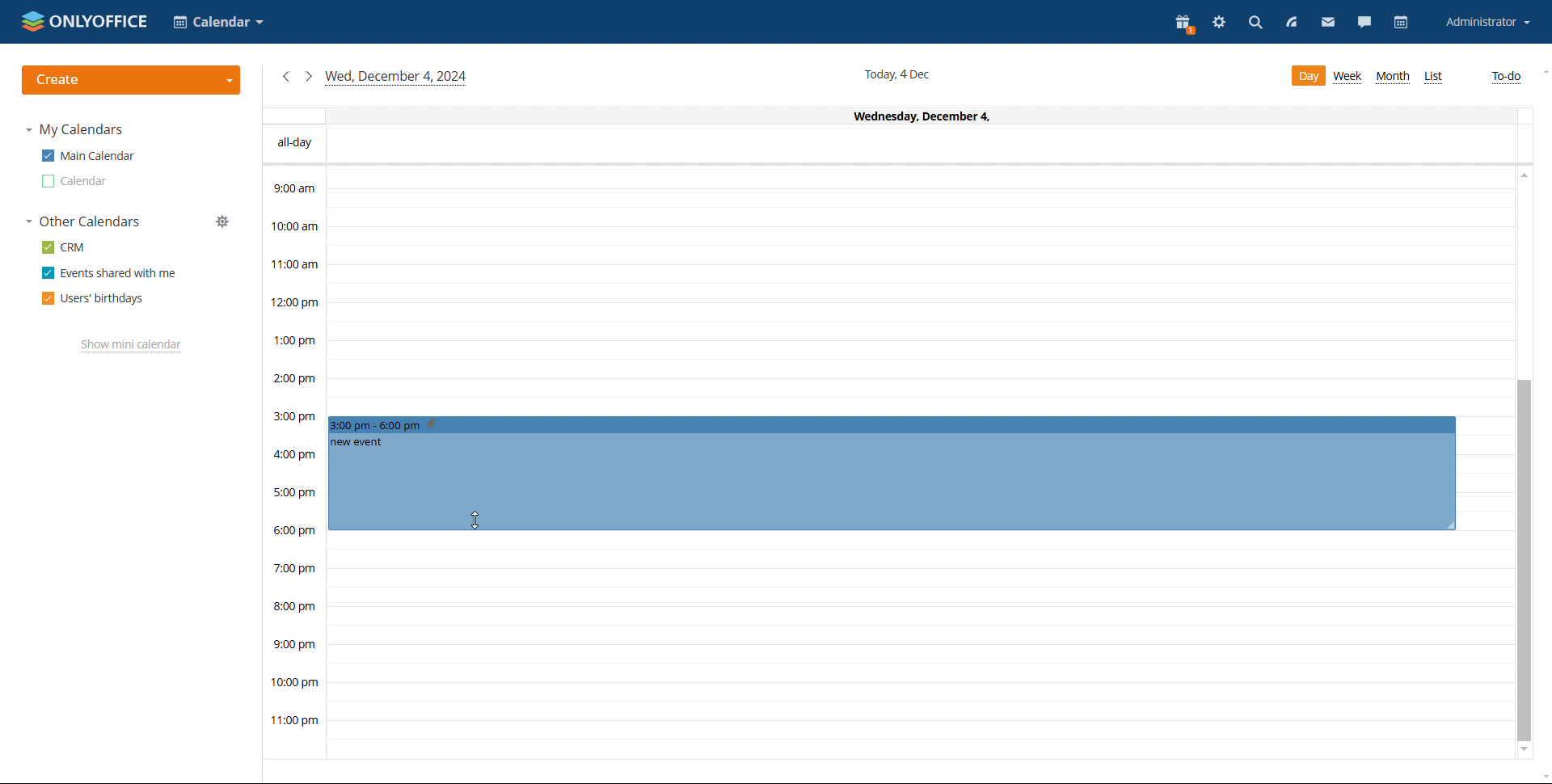  What do you see at coordinates (131, 80) in the screenshot?
I see `create` at bounding box center [131, 80].